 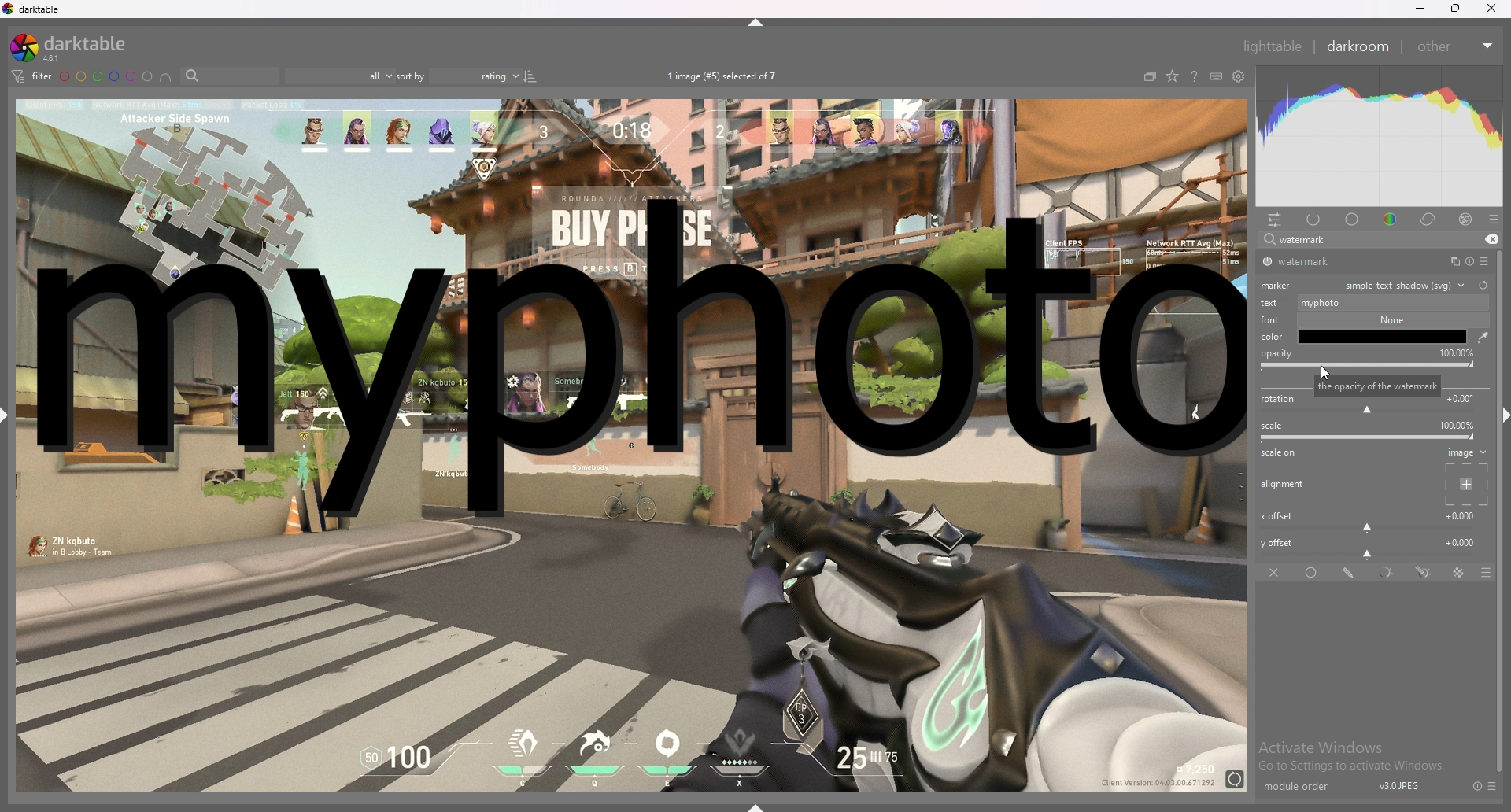 I want to click on show, so click(x=762, y=803).